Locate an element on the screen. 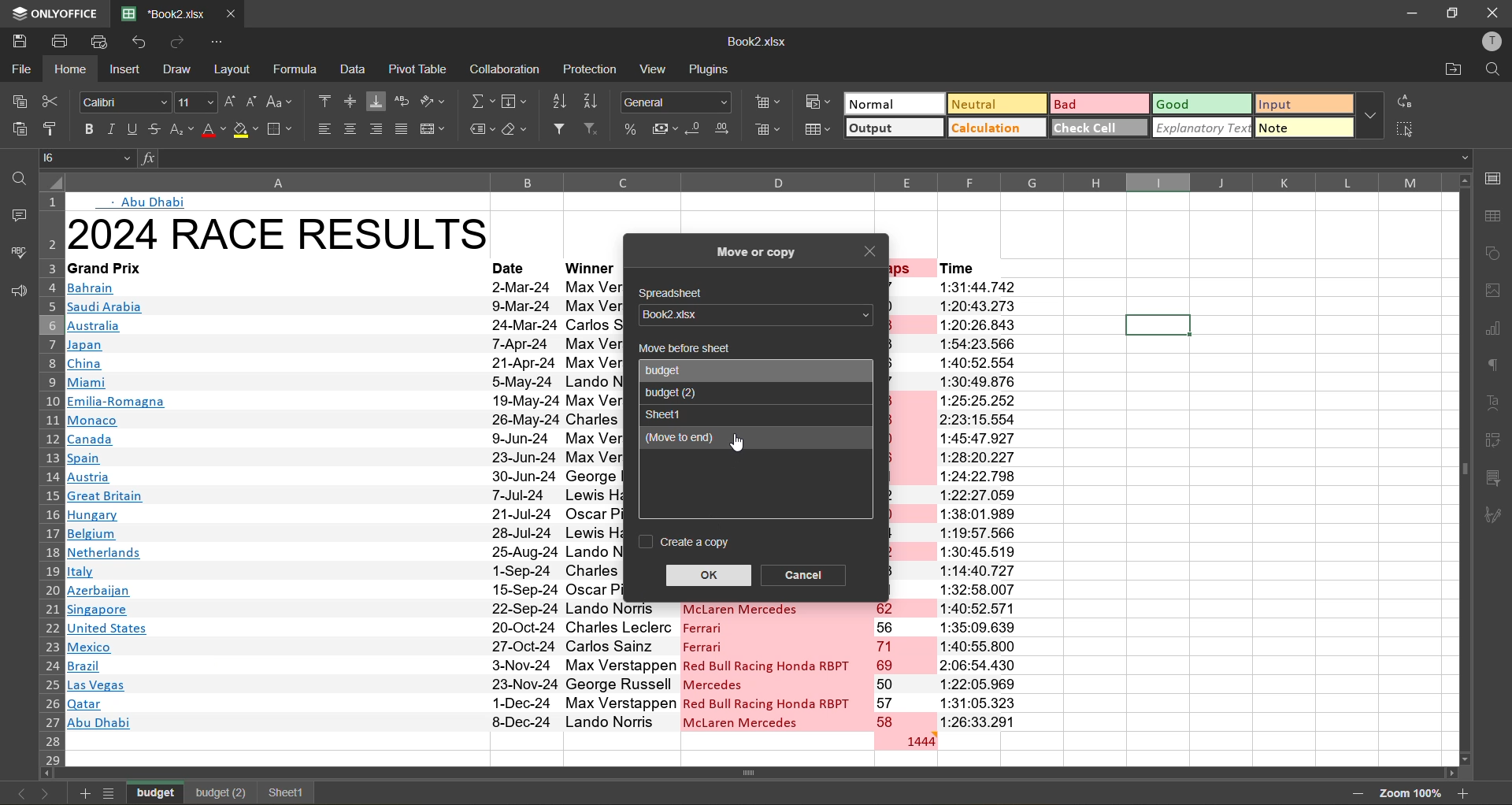 The height and width of the screenshot is (805, 1512). move to end is located at coordinates (732, 439).